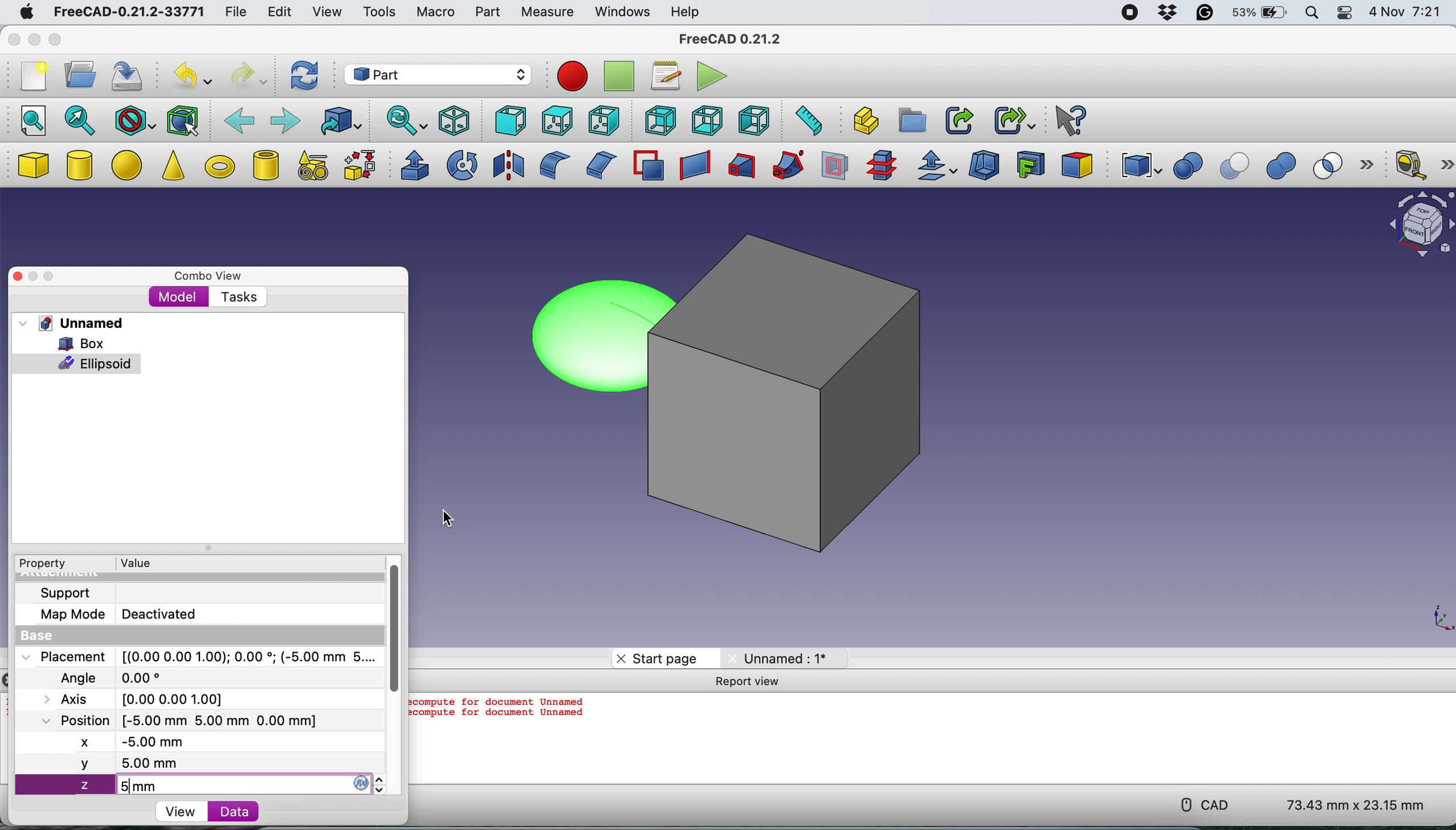  I want to click on object interface, so click(1421, 226).